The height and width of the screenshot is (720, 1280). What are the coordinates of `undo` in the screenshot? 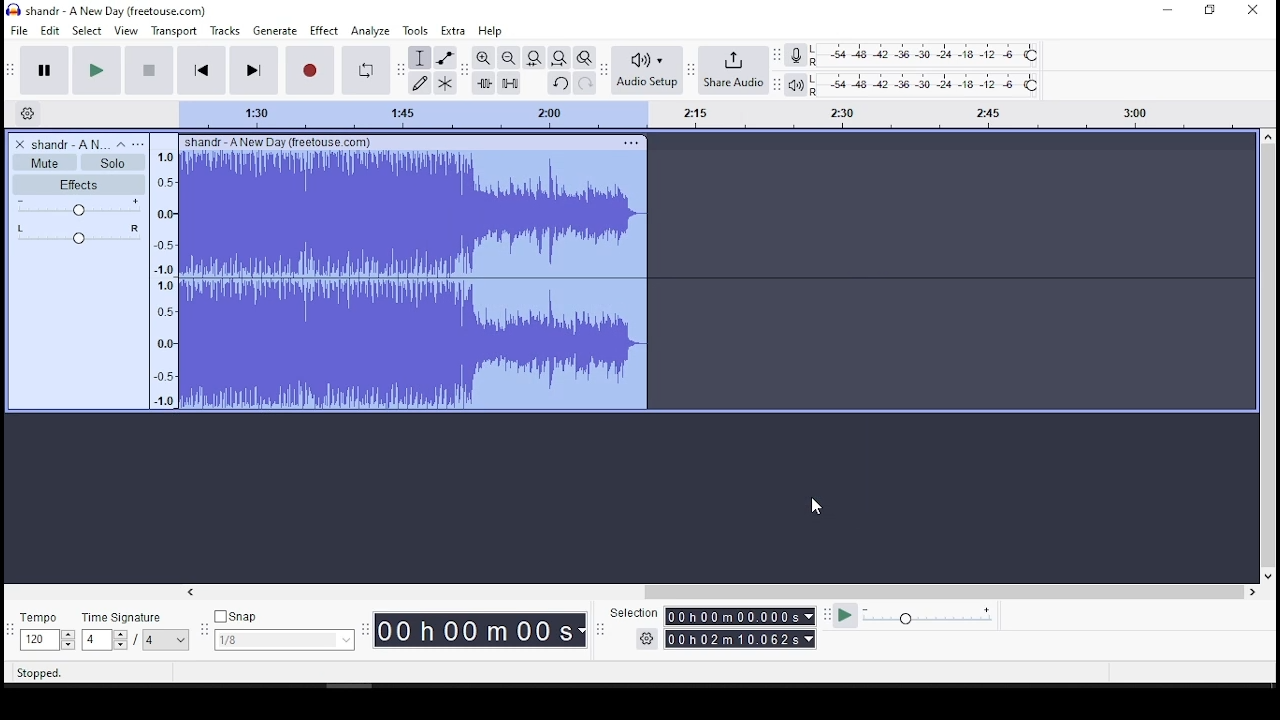 It's located at (560, 82).